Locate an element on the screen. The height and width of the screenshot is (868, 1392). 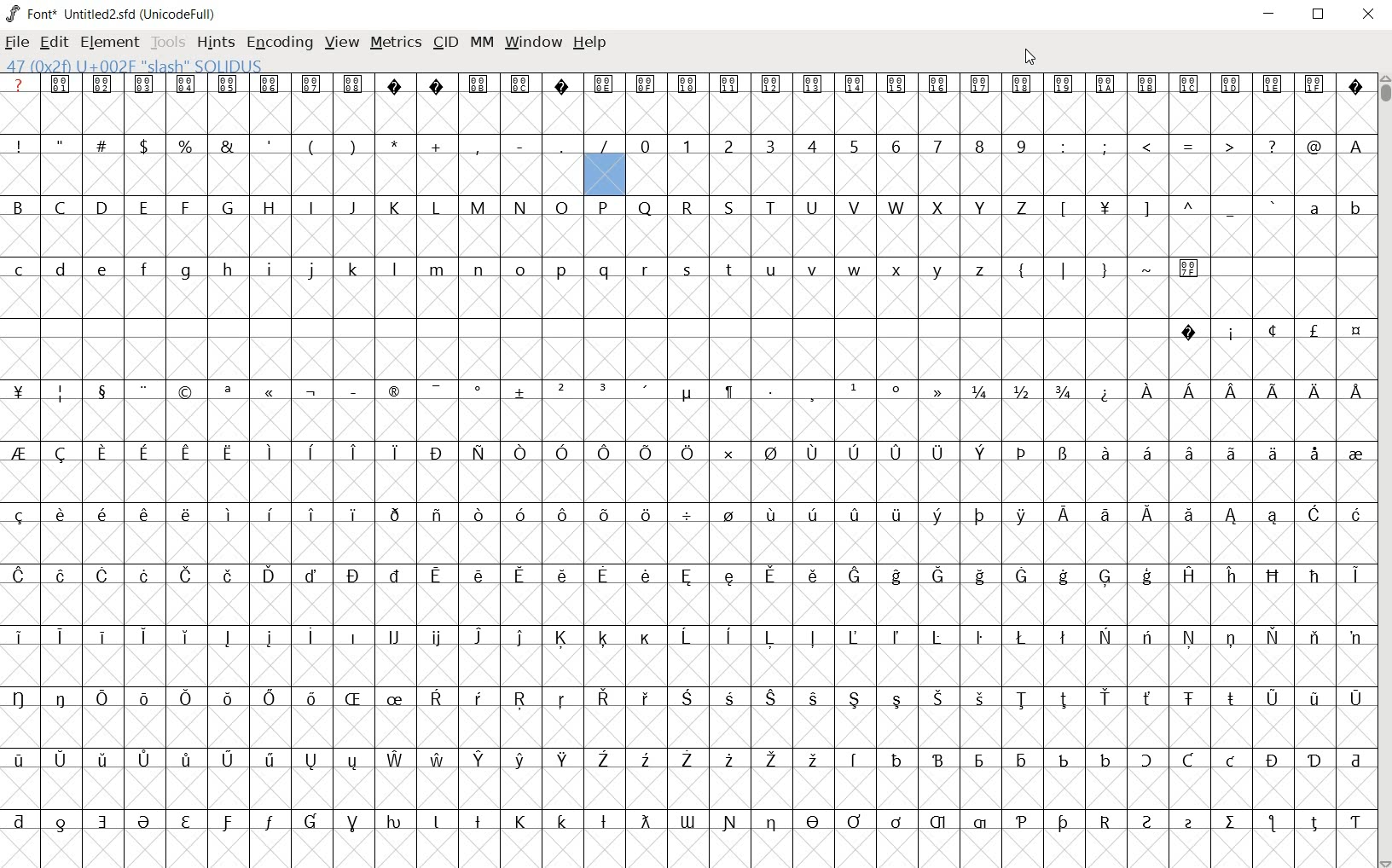
symbols is located at coordinates (316, 144).